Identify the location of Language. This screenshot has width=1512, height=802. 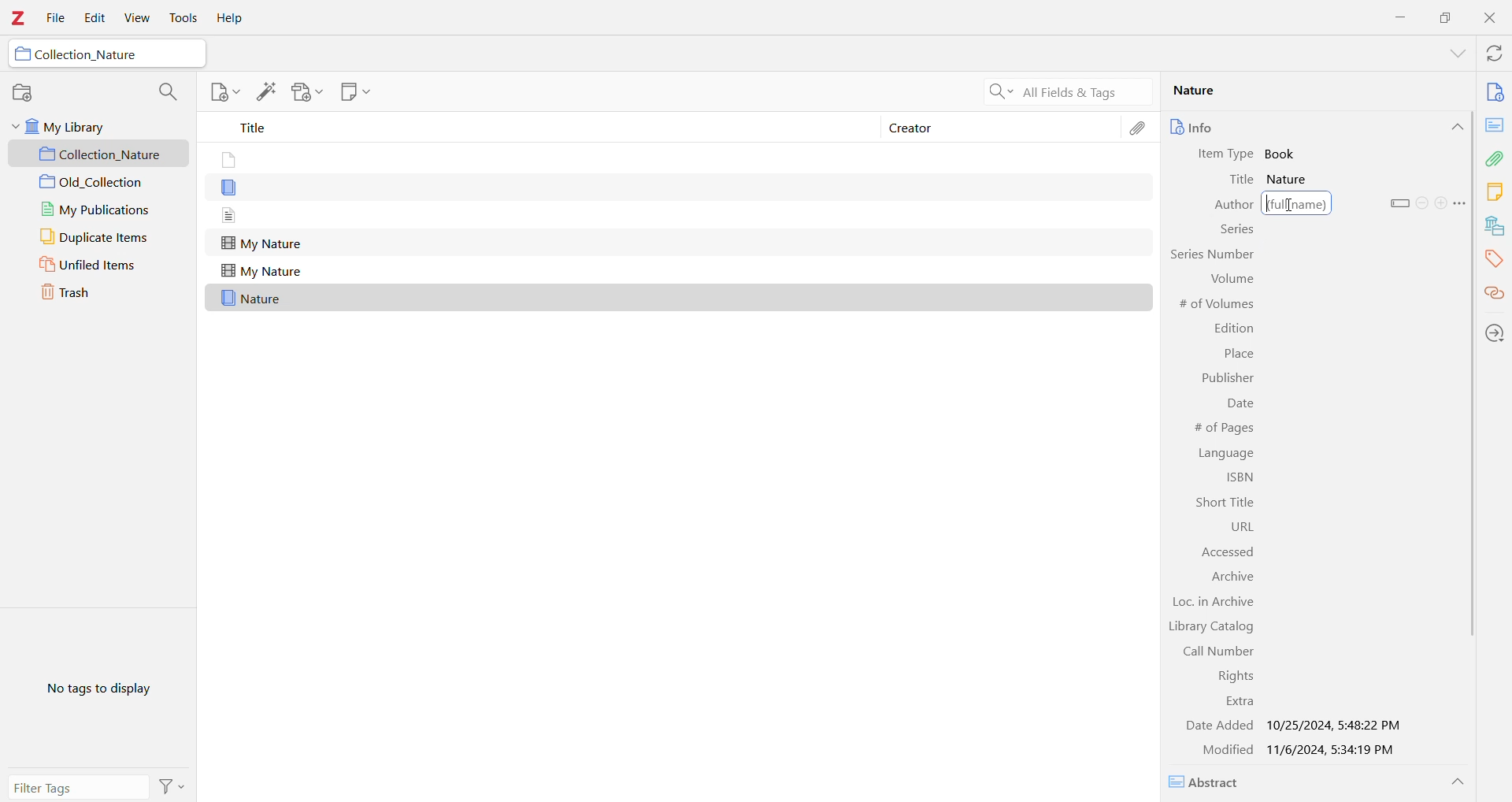
(1228, 453).